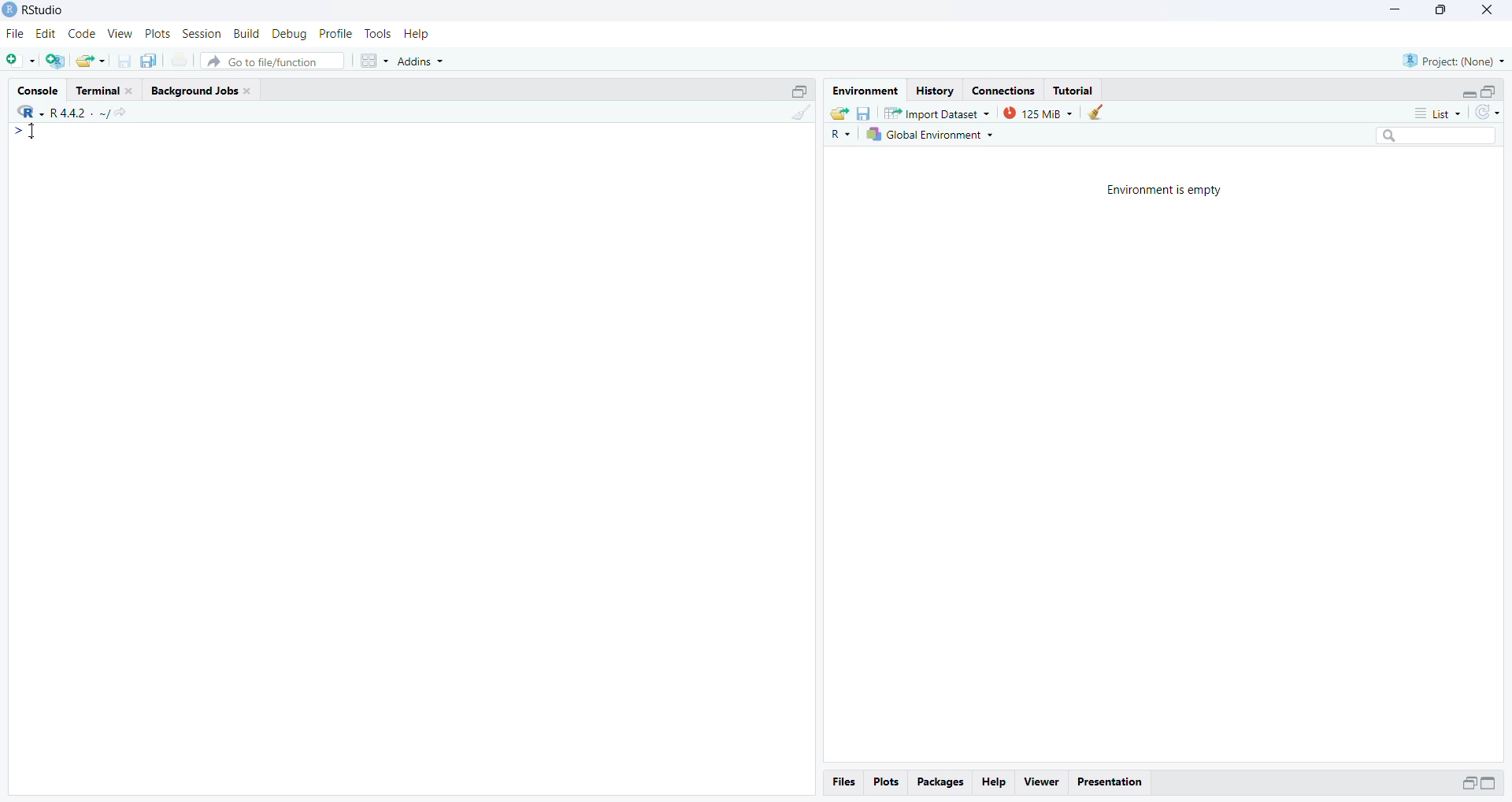 This screenshot has width=1512, height=802. What do you see at coordinates (57, 61) in the screenshot?
I see `create a project` at bounding box center [57, 61].